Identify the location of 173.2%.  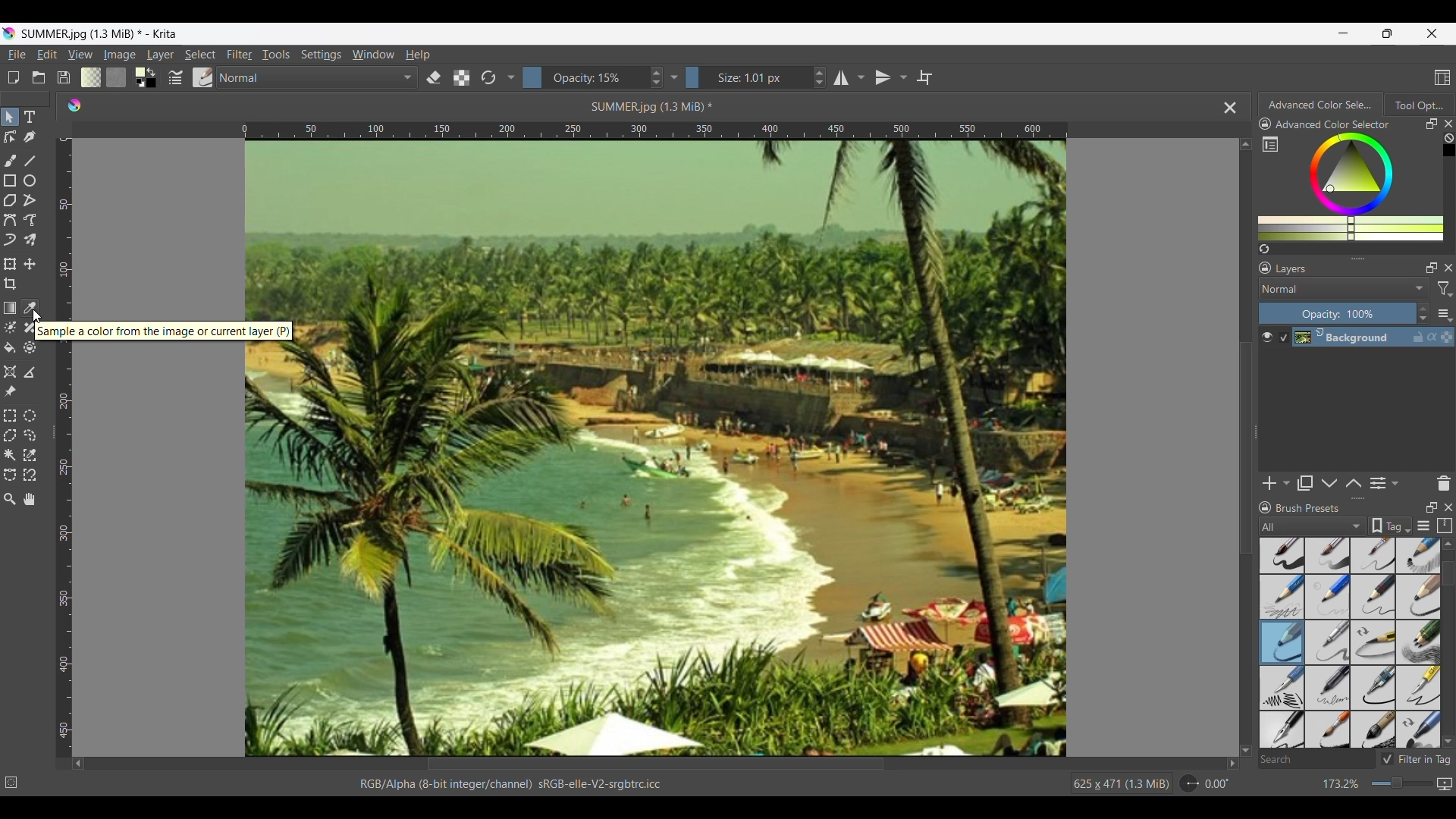
(1341, 785).